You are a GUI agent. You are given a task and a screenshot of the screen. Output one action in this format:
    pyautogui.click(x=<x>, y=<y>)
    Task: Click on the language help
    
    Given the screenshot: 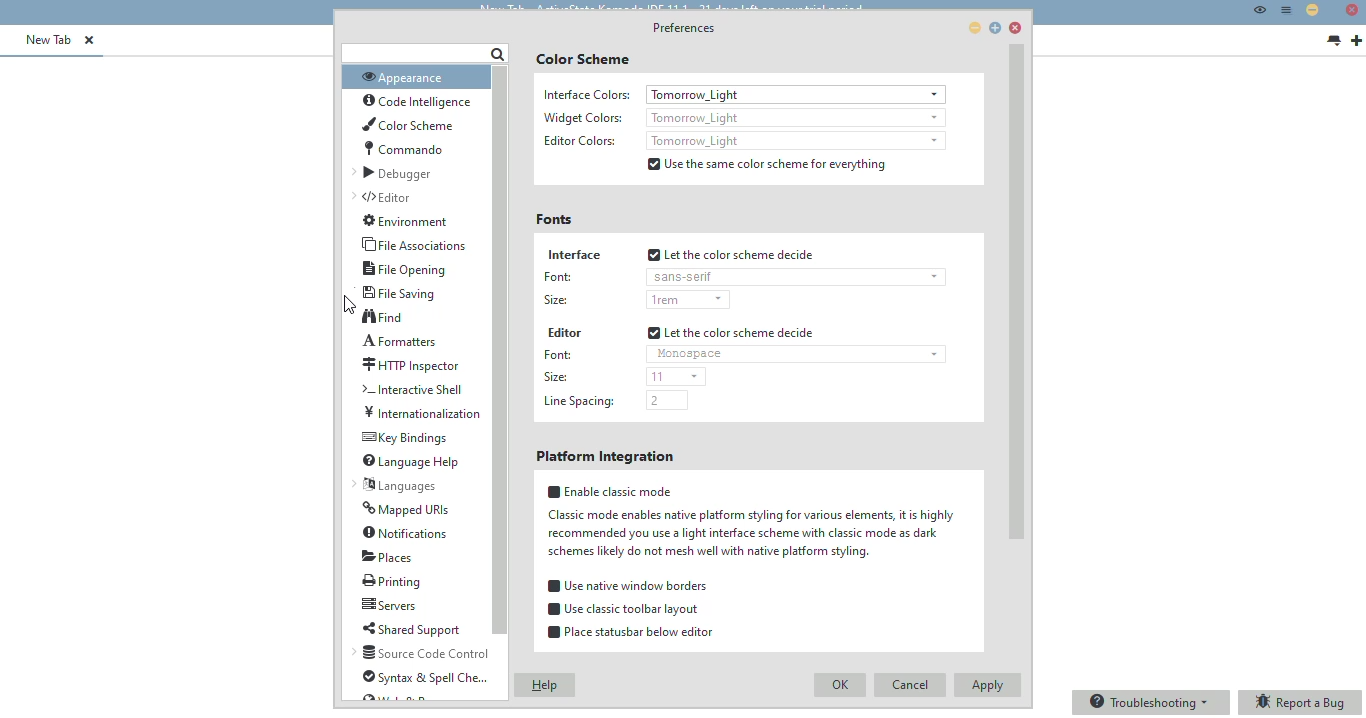 What is the action you would take?
    pyautogui.click(x=409, y=462)
    